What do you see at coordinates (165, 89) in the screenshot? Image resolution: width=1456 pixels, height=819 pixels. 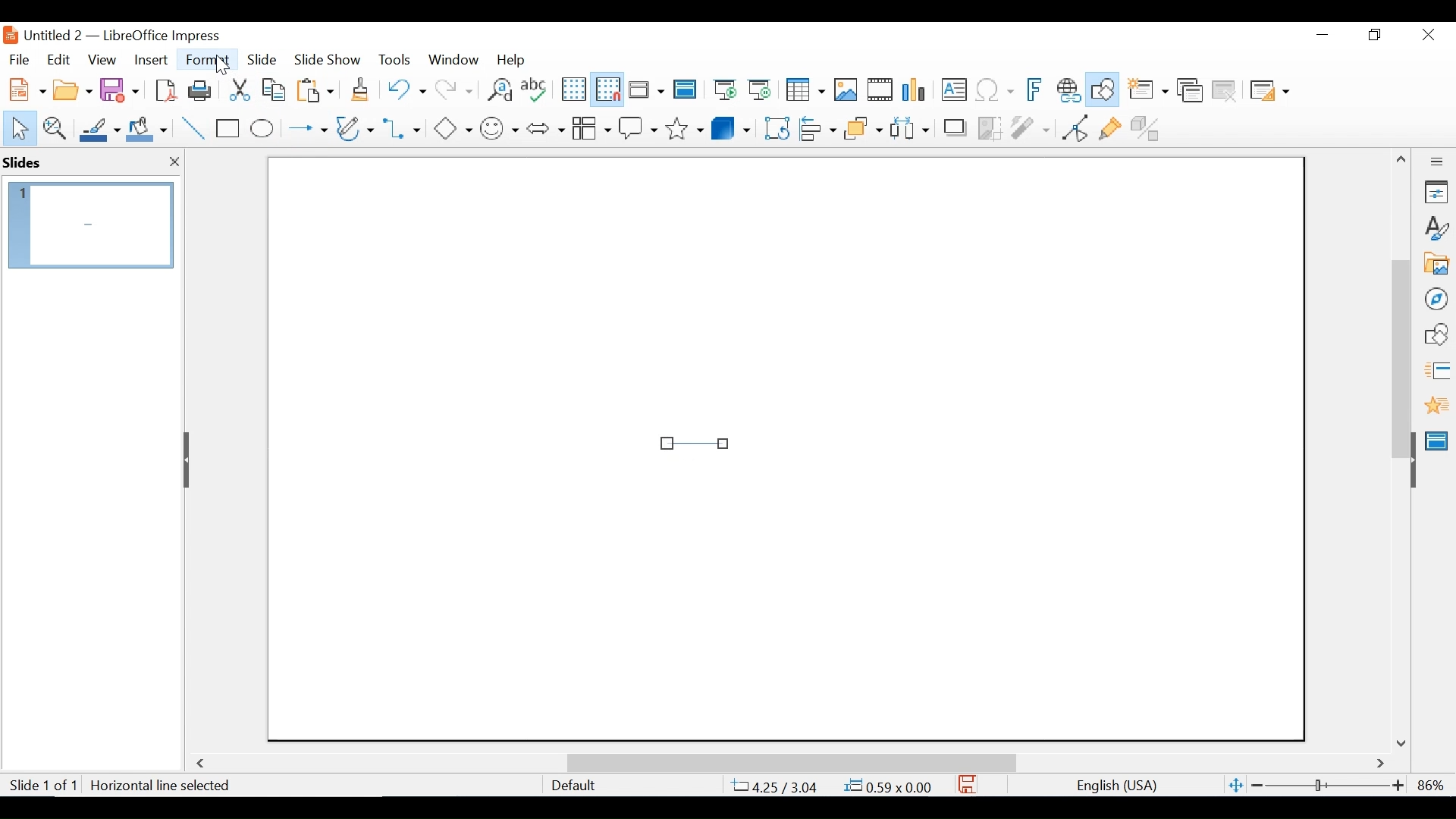 I see `Export as PDF` at bounding box center [165, 89].